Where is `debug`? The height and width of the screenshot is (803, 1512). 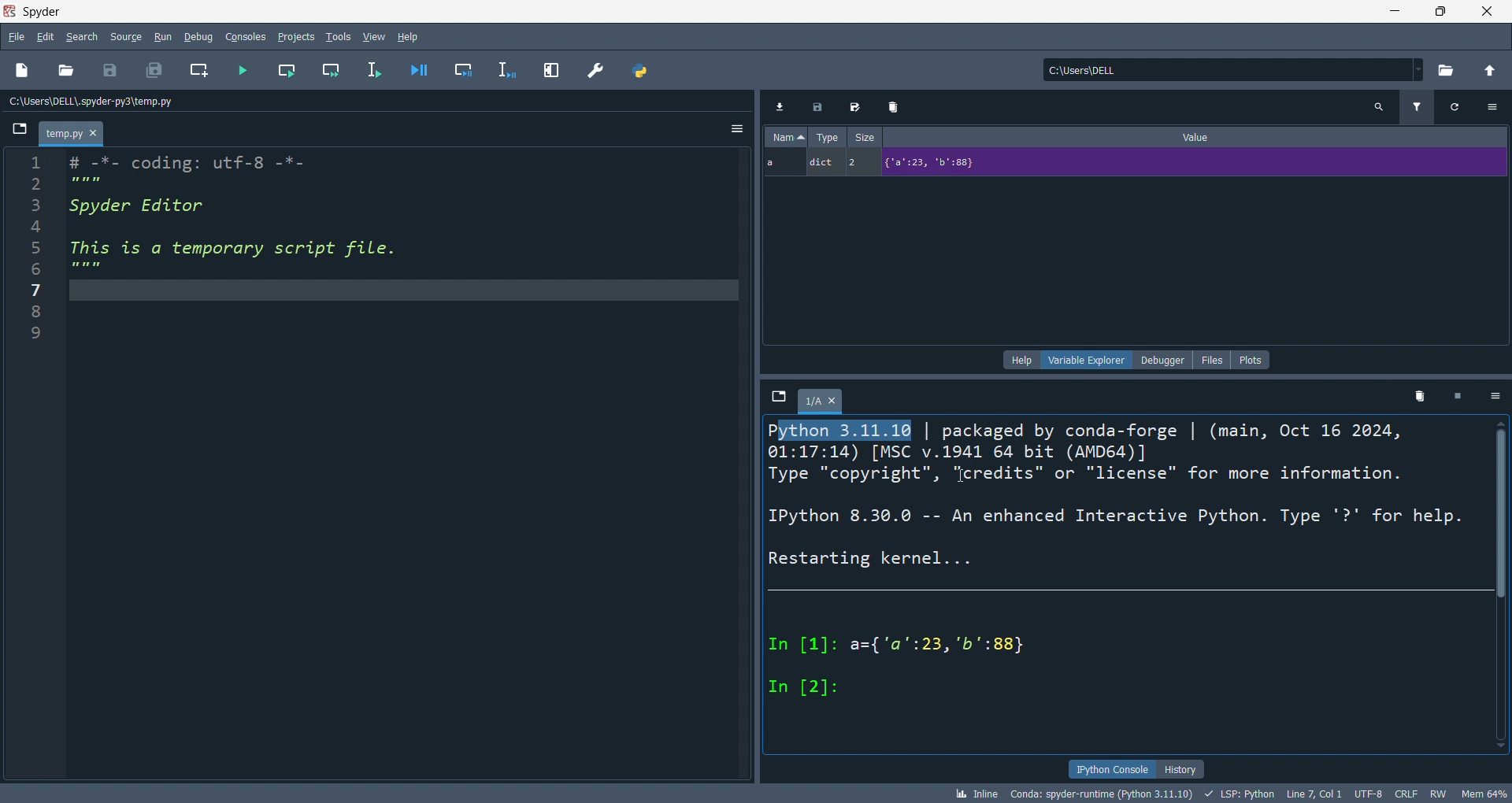
debug is located at coordinates (201, 35).